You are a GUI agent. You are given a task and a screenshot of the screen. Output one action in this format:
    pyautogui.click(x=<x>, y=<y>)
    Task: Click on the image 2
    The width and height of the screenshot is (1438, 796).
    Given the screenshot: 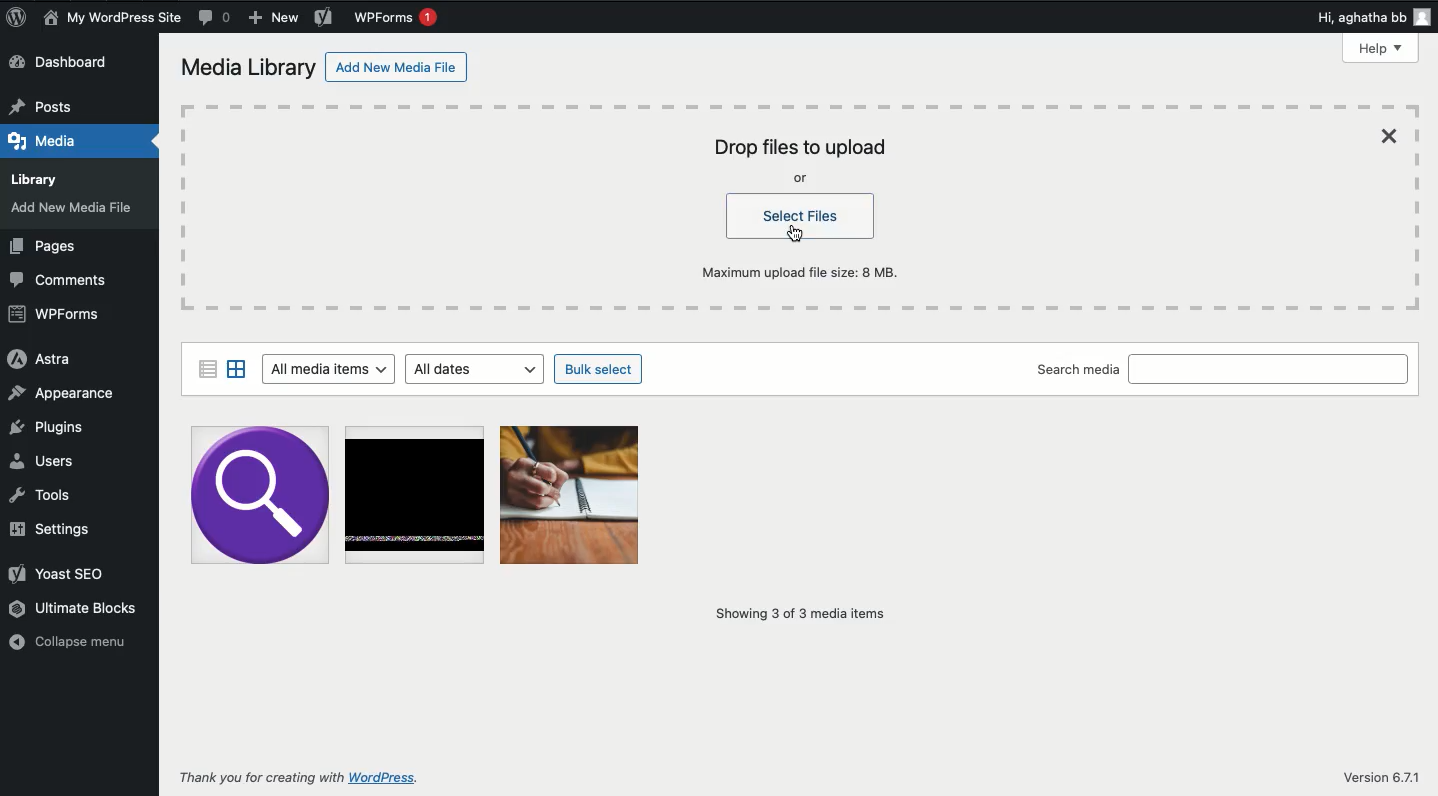 What is the action you would take?
    pyautogui.click(x=415, y=497)
    